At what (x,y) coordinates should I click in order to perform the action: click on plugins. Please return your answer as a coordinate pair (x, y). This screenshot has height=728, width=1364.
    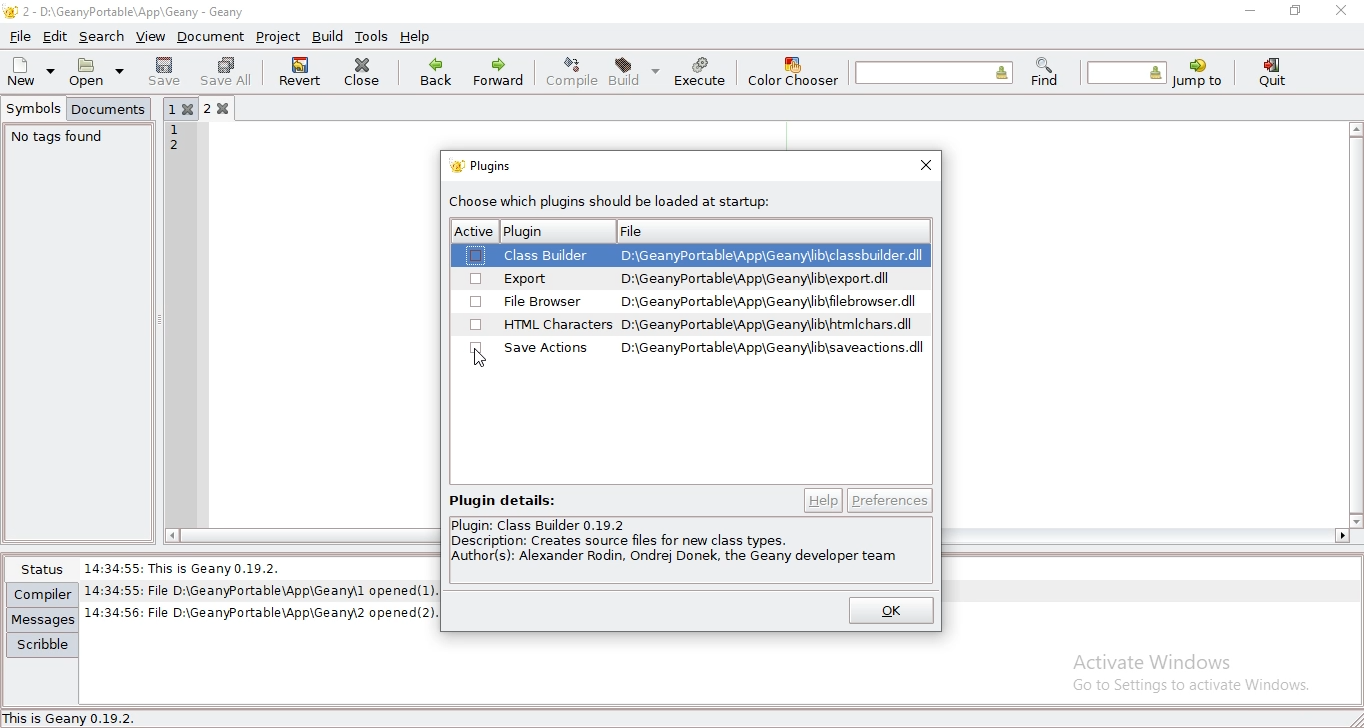
    Looking at the image, I should click on (483, 167).